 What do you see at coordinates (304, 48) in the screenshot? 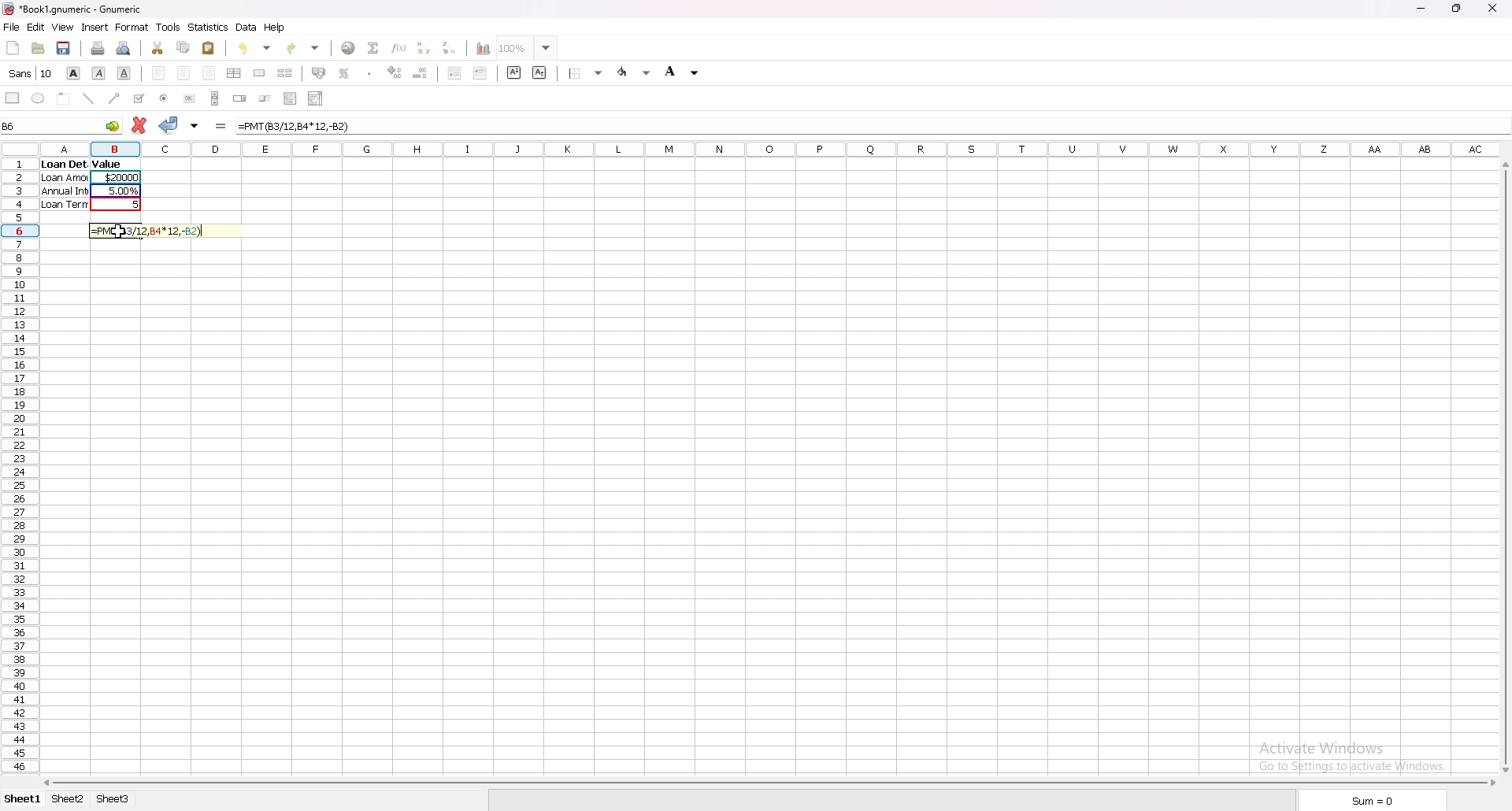
I see `redo` at bounding box center [304, 48].